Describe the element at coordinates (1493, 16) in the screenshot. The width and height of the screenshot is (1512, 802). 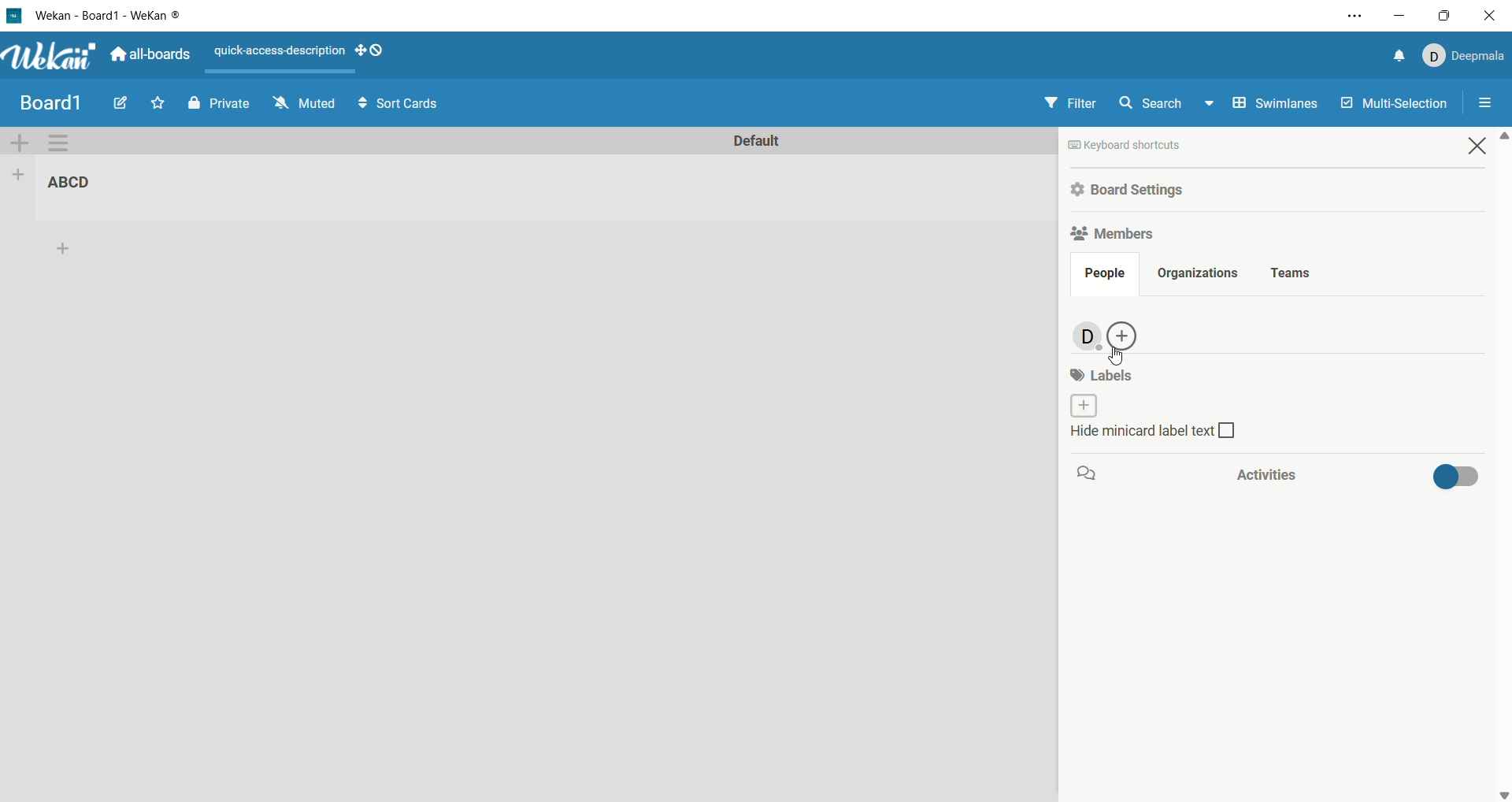
I see `close` at that location.